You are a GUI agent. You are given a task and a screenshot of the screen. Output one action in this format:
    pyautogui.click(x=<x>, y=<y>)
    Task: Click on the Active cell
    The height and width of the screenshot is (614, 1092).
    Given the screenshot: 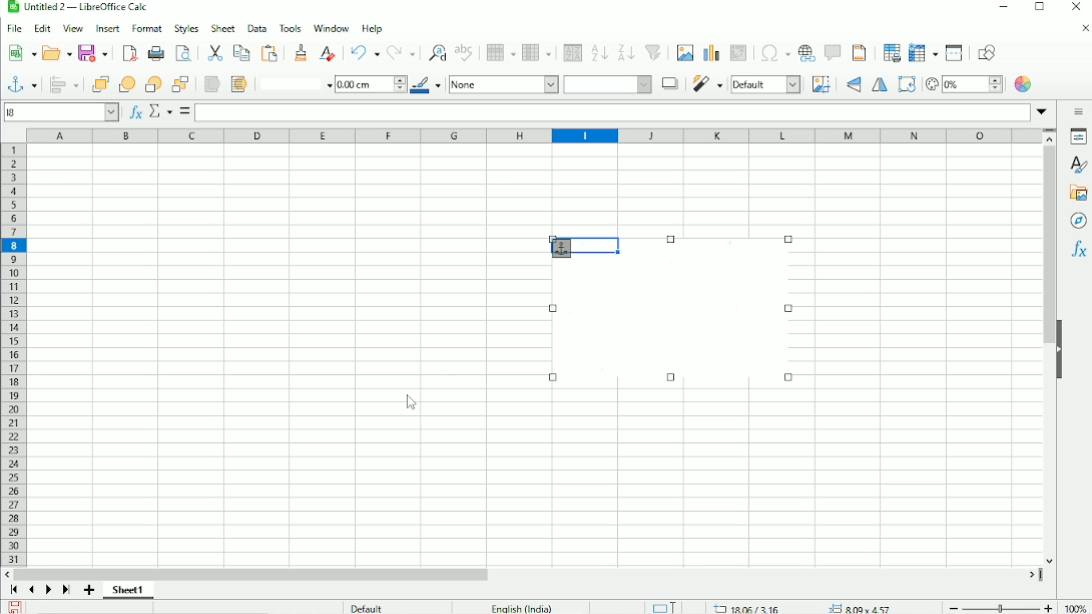 What is the action you would take?
    pyautogui.click(x=62, y=111)
    